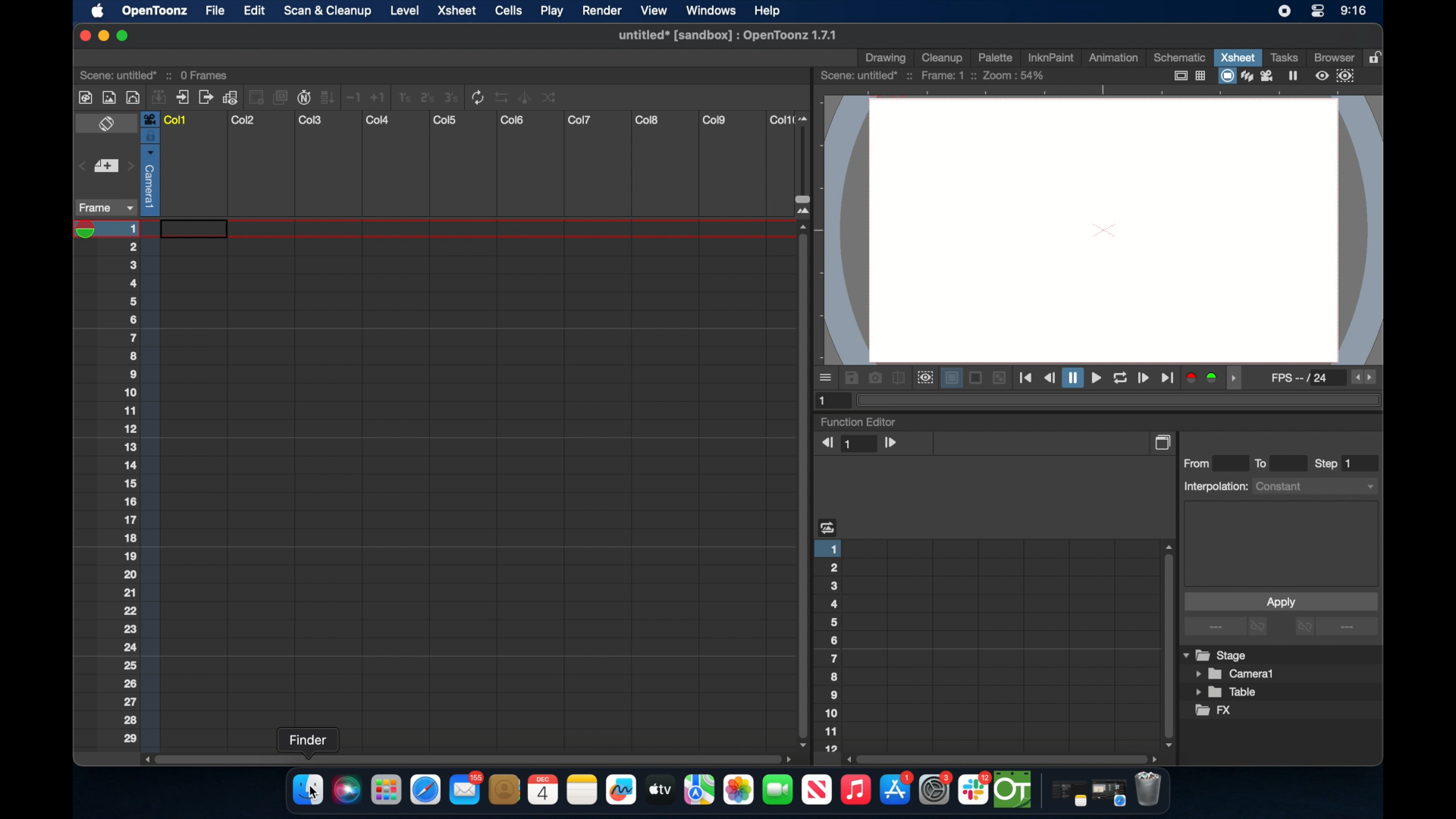 The image size is (1456, 819). Describe the element at coordinates (861, 444) in the screenshot. I see `1` at that location.